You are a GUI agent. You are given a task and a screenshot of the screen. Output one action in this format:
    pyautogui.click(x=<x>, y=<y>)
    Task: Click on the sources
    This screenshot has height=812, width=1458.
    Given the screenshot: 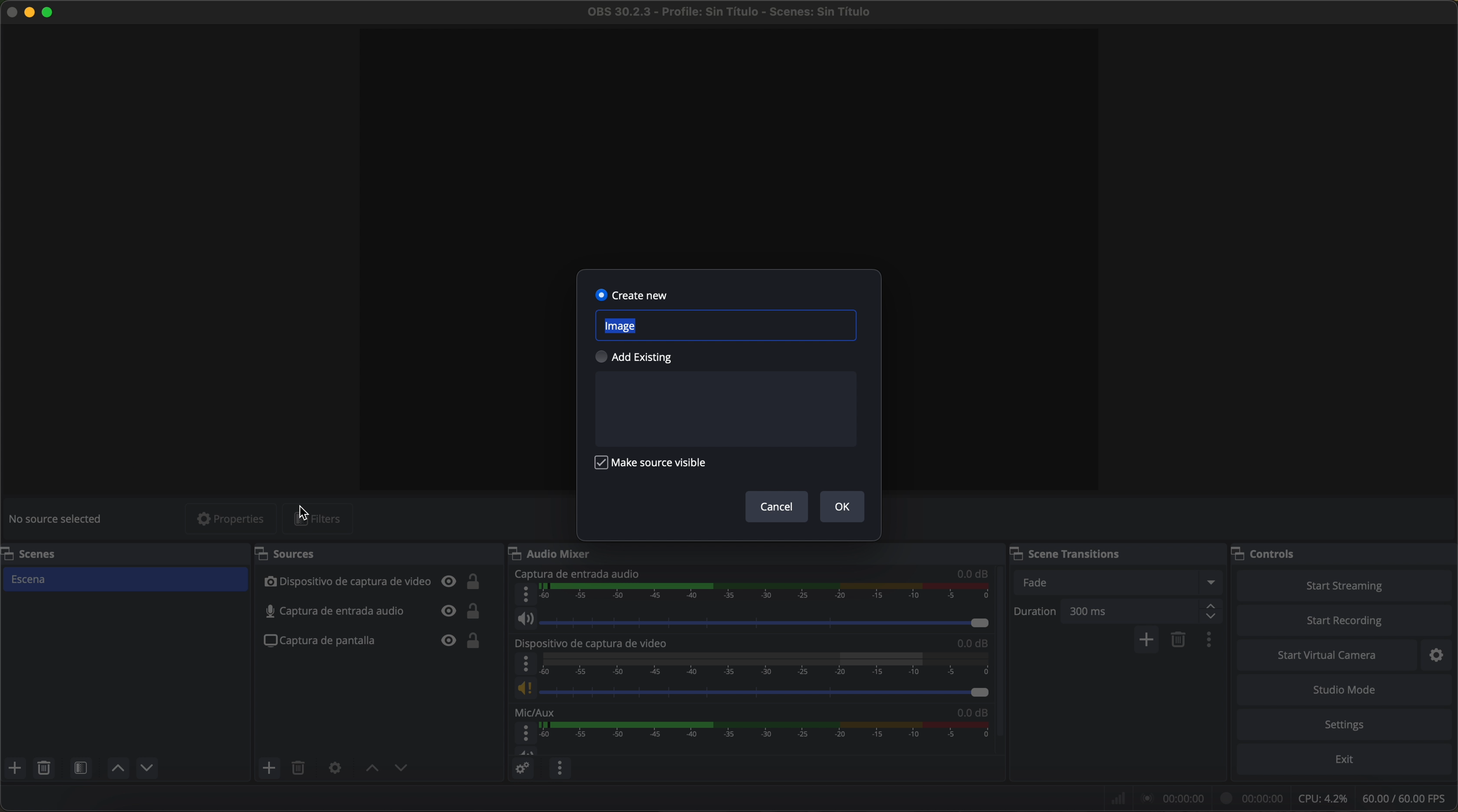 What is the action you would take?
    pyautogui.click(x=300, y=555)
    